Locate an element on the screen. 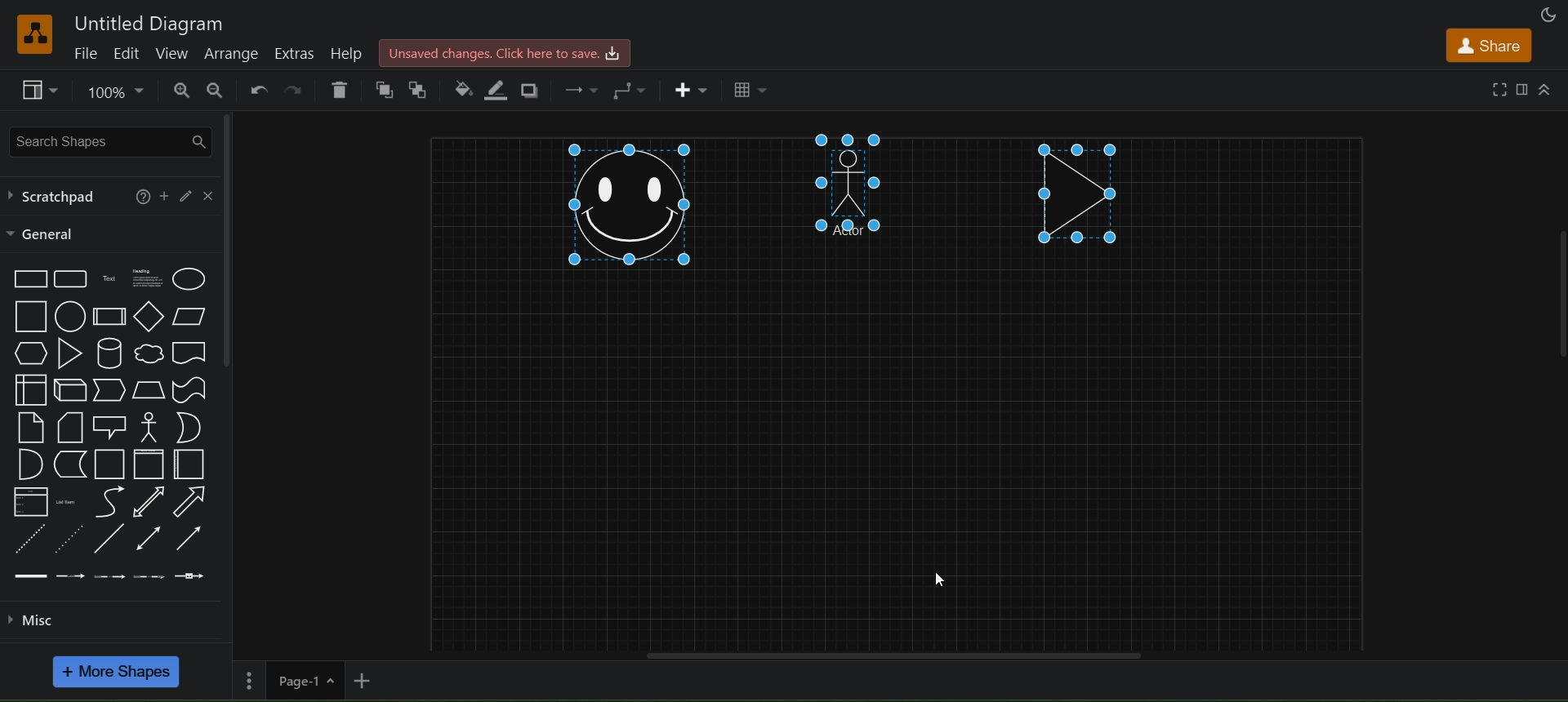  insert  is located at coordinates (693, 91).